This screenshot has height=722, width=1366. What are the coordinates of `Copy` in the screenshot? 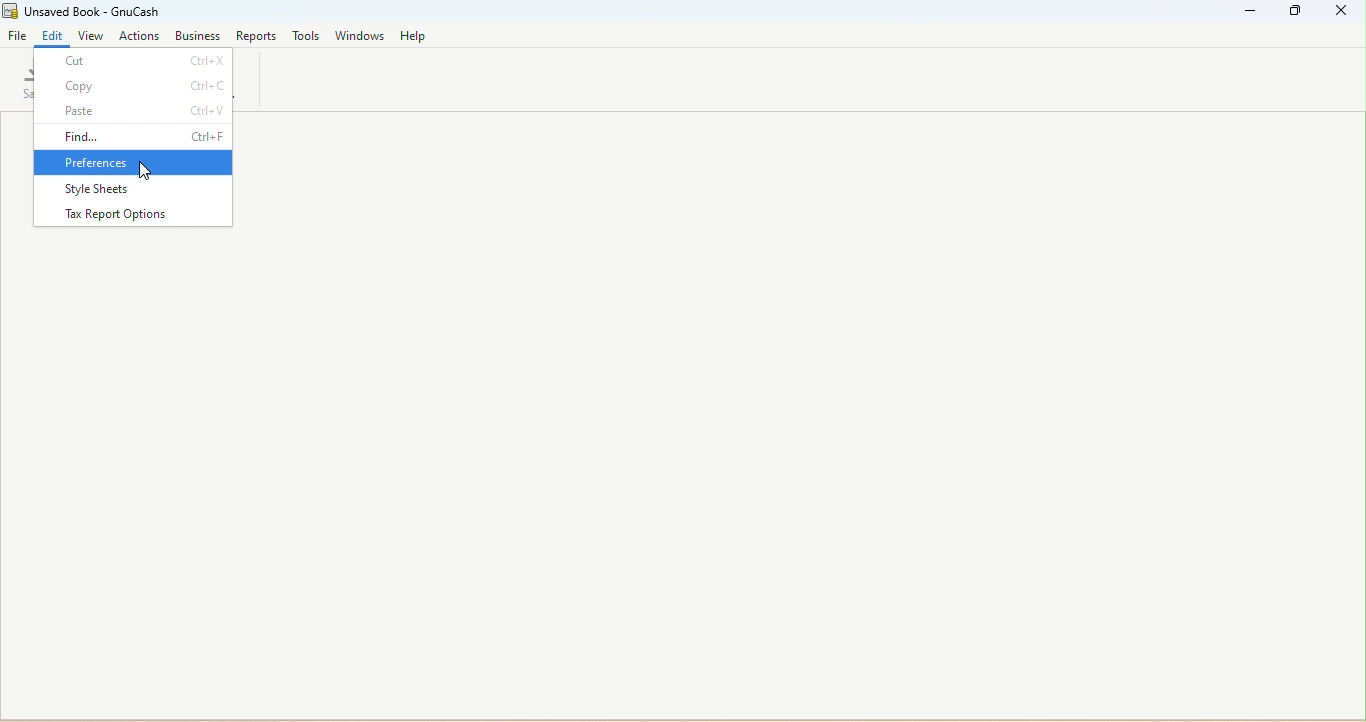 It's located at (133, 86).